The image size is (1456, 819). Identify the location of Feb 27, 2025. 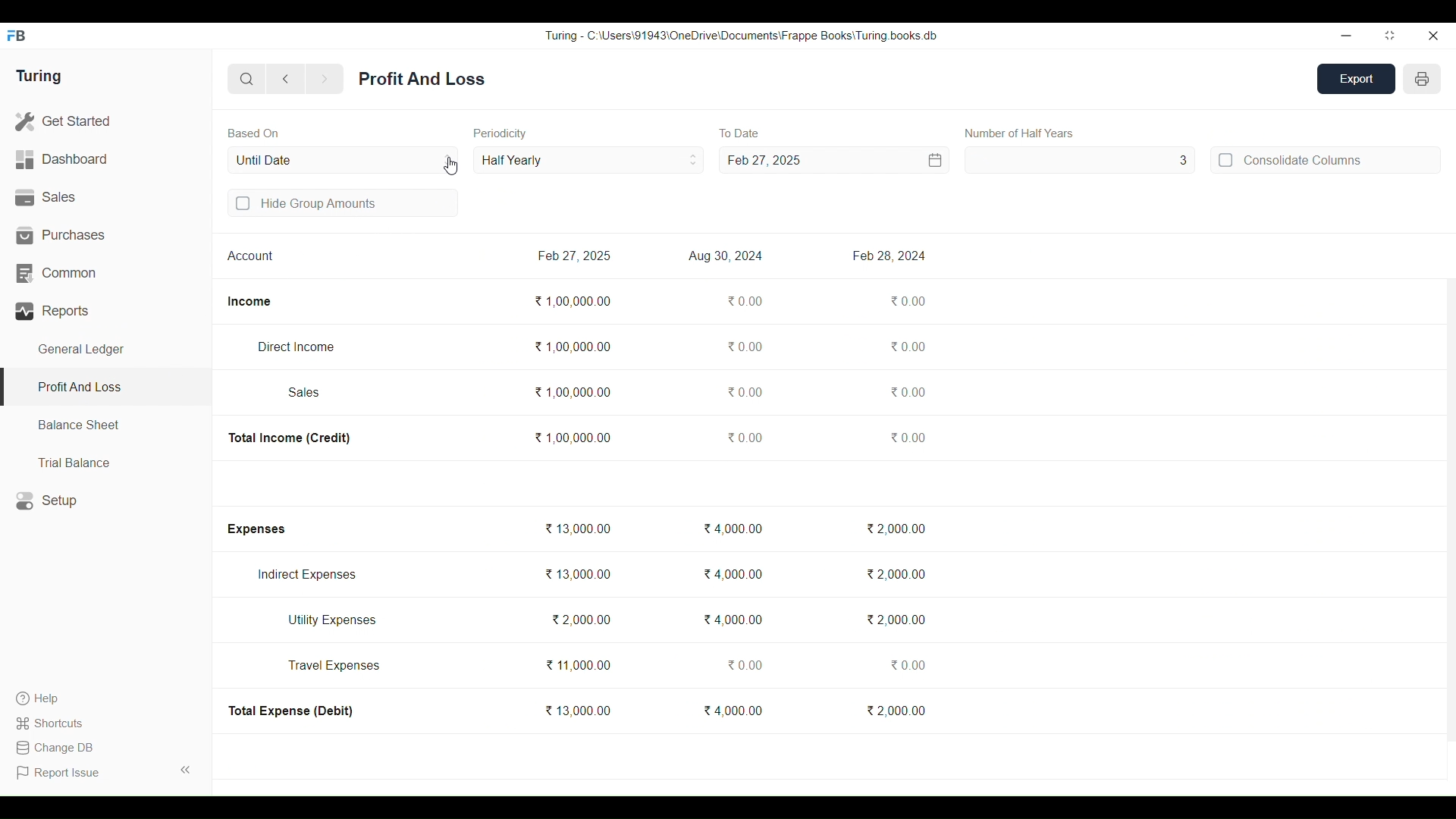
(764, 160).